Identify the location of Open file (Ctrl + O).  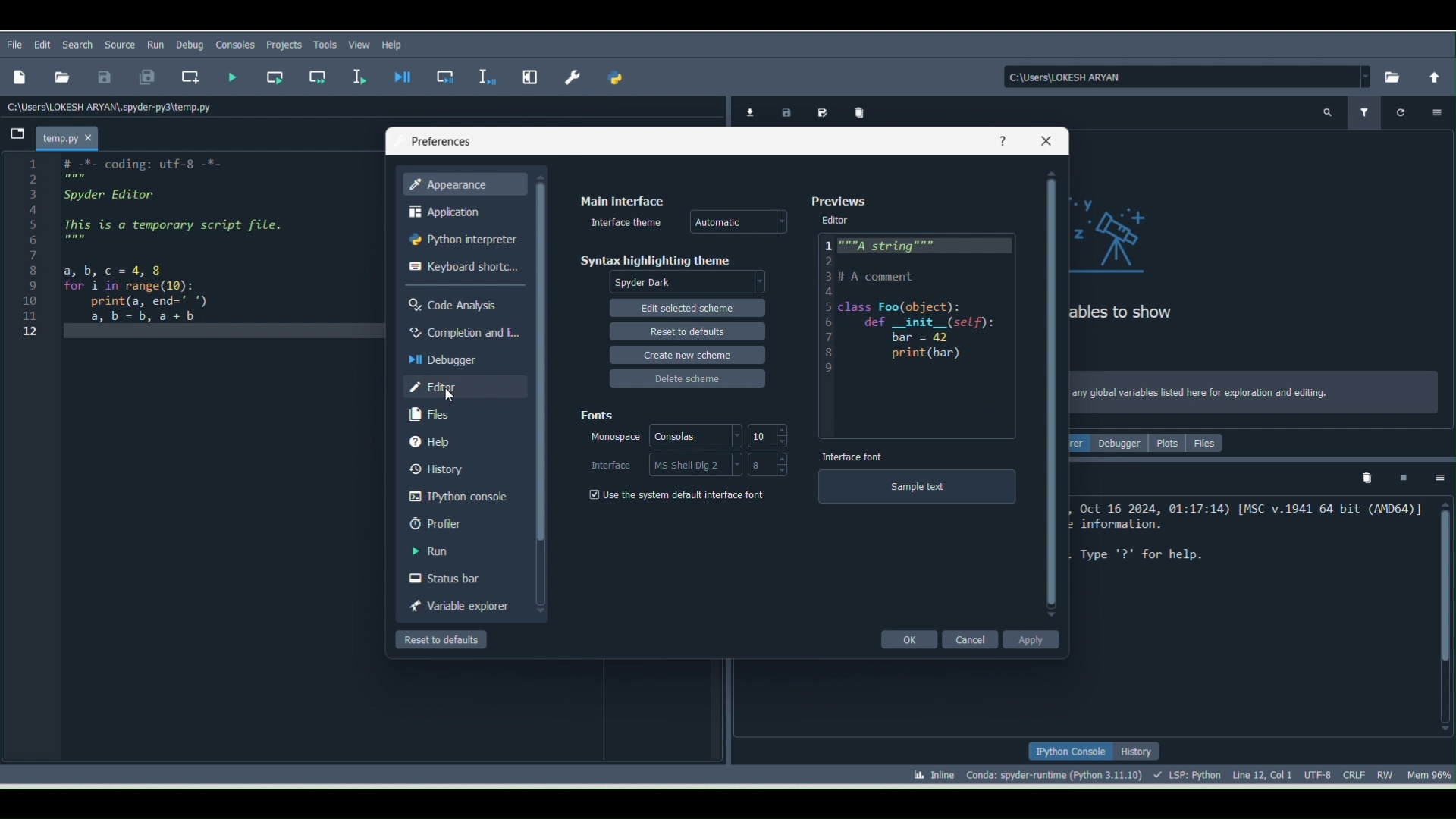
(59, 75).